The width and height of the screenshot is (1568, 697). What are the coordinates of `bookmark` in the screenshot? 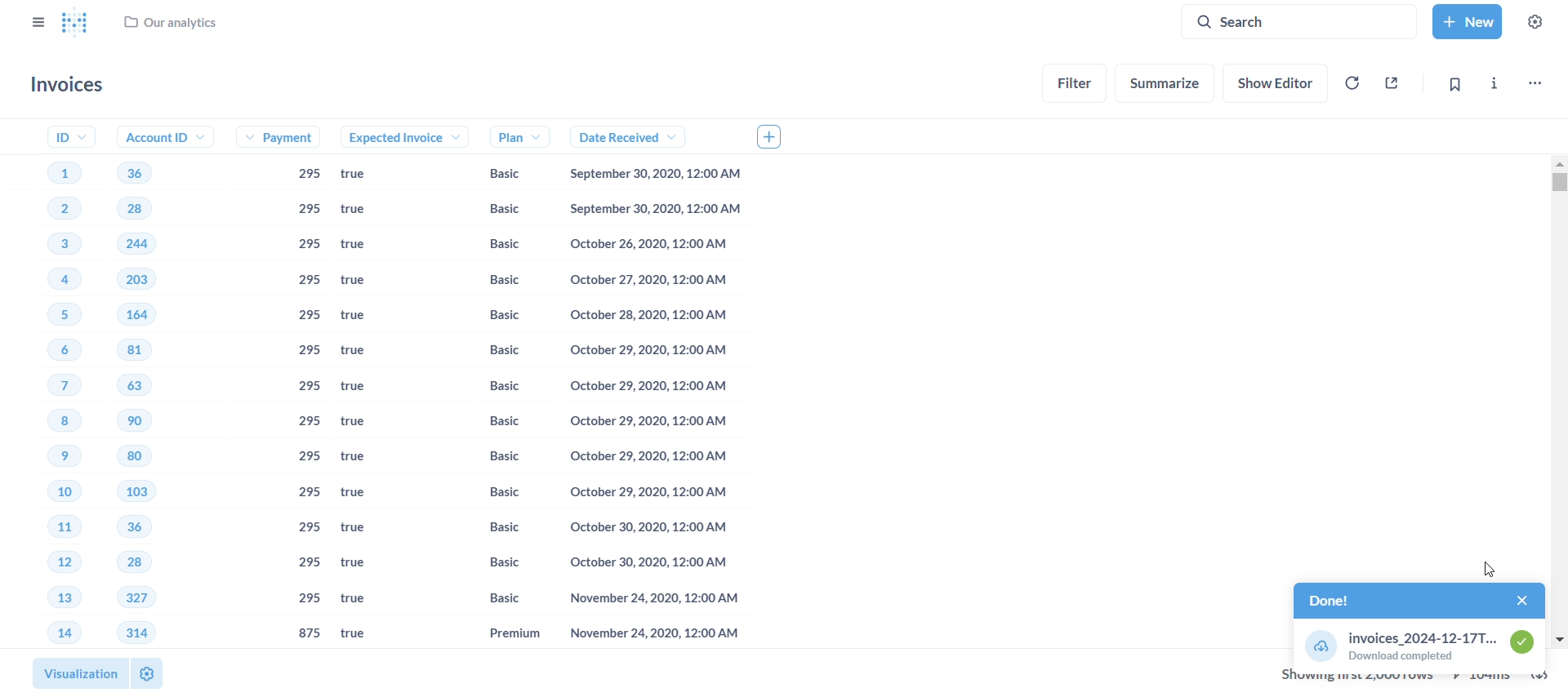 It's located at (1454, 84).